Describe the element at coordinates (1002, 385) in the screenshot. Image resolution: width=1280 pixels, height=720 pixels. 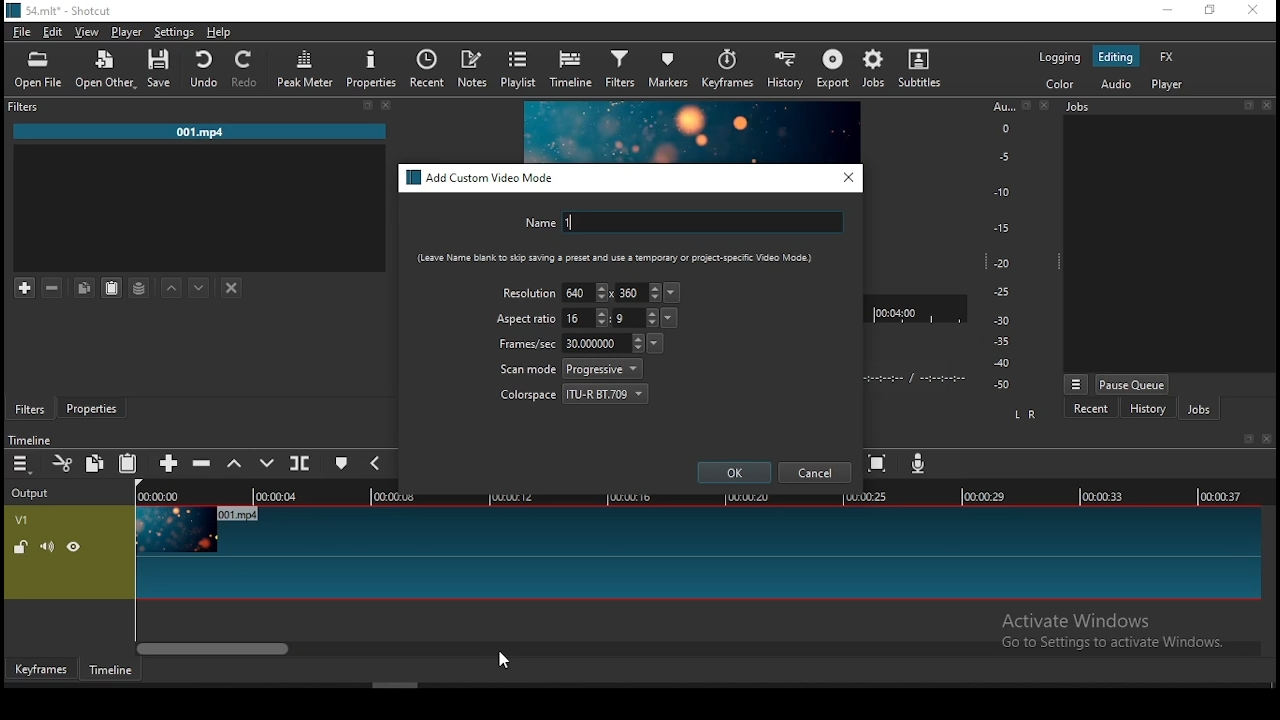
I see `-50` at that location.